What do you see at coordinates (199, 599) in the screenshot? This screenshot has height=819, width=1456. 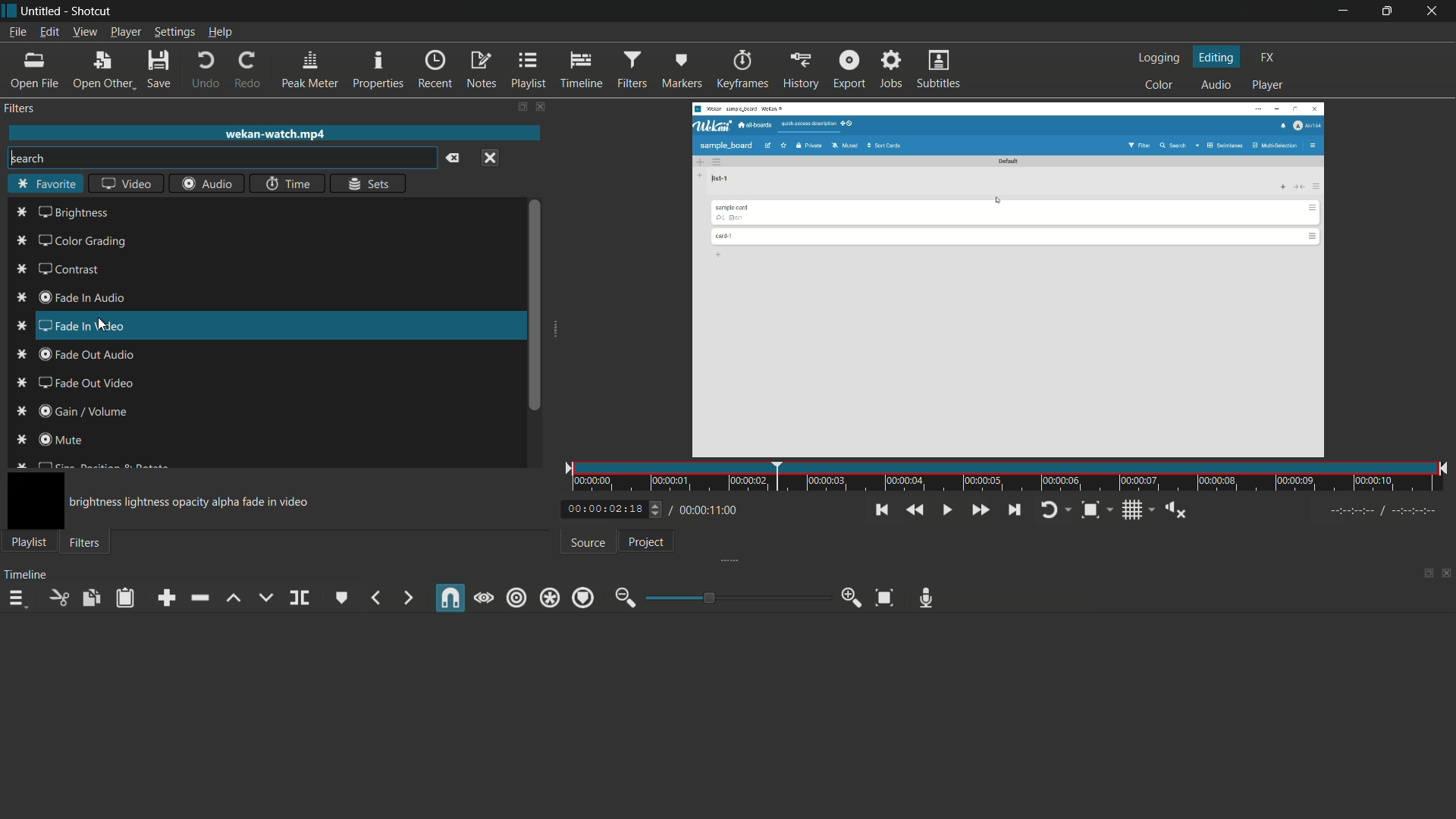 I see `ripple delete` at bounding box center [199, 599].